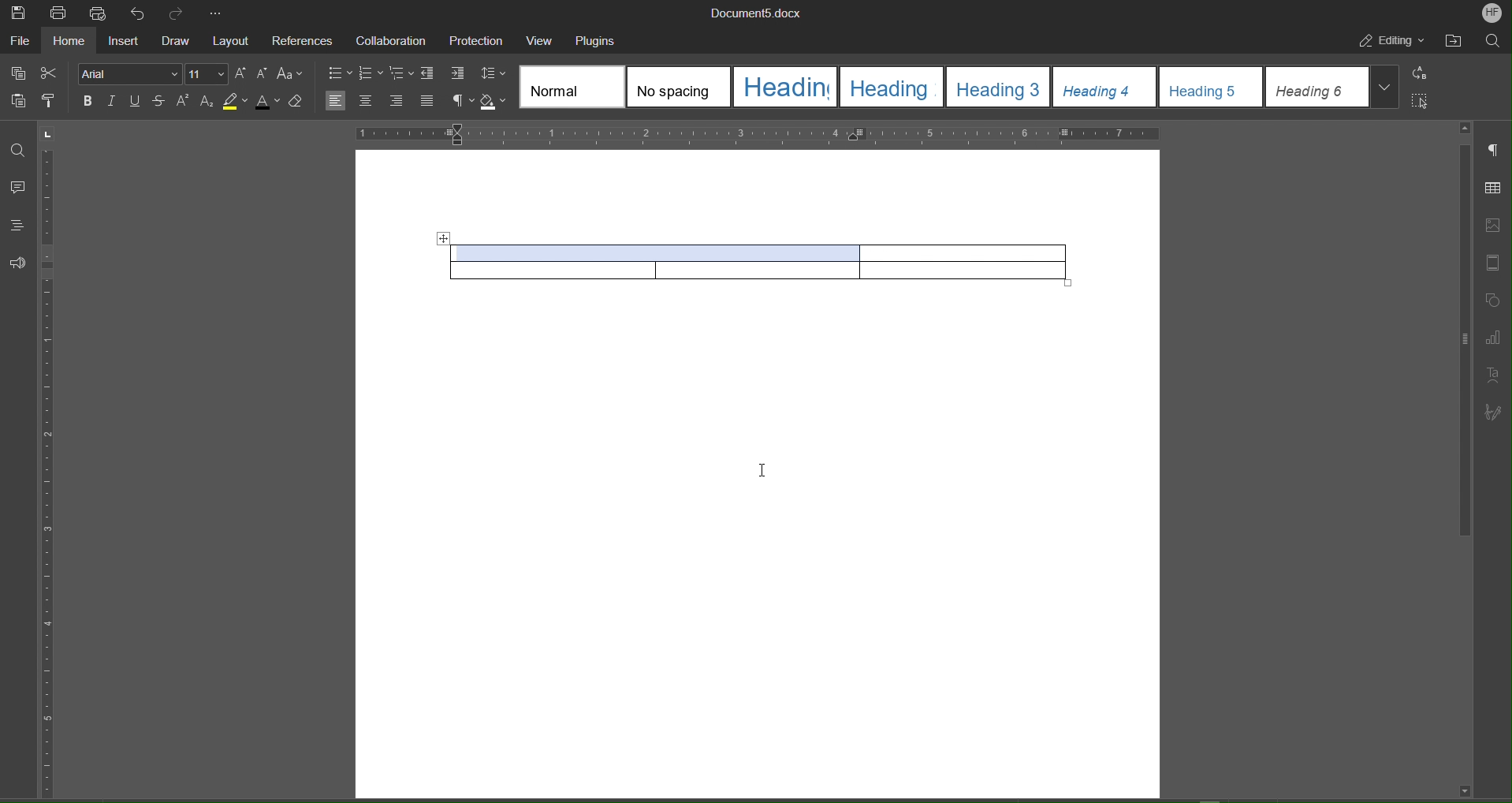 The image size is (1512, 803). Describe the element at coordinates (1393, 43) in the screenshot. I see `Editing` at that location.